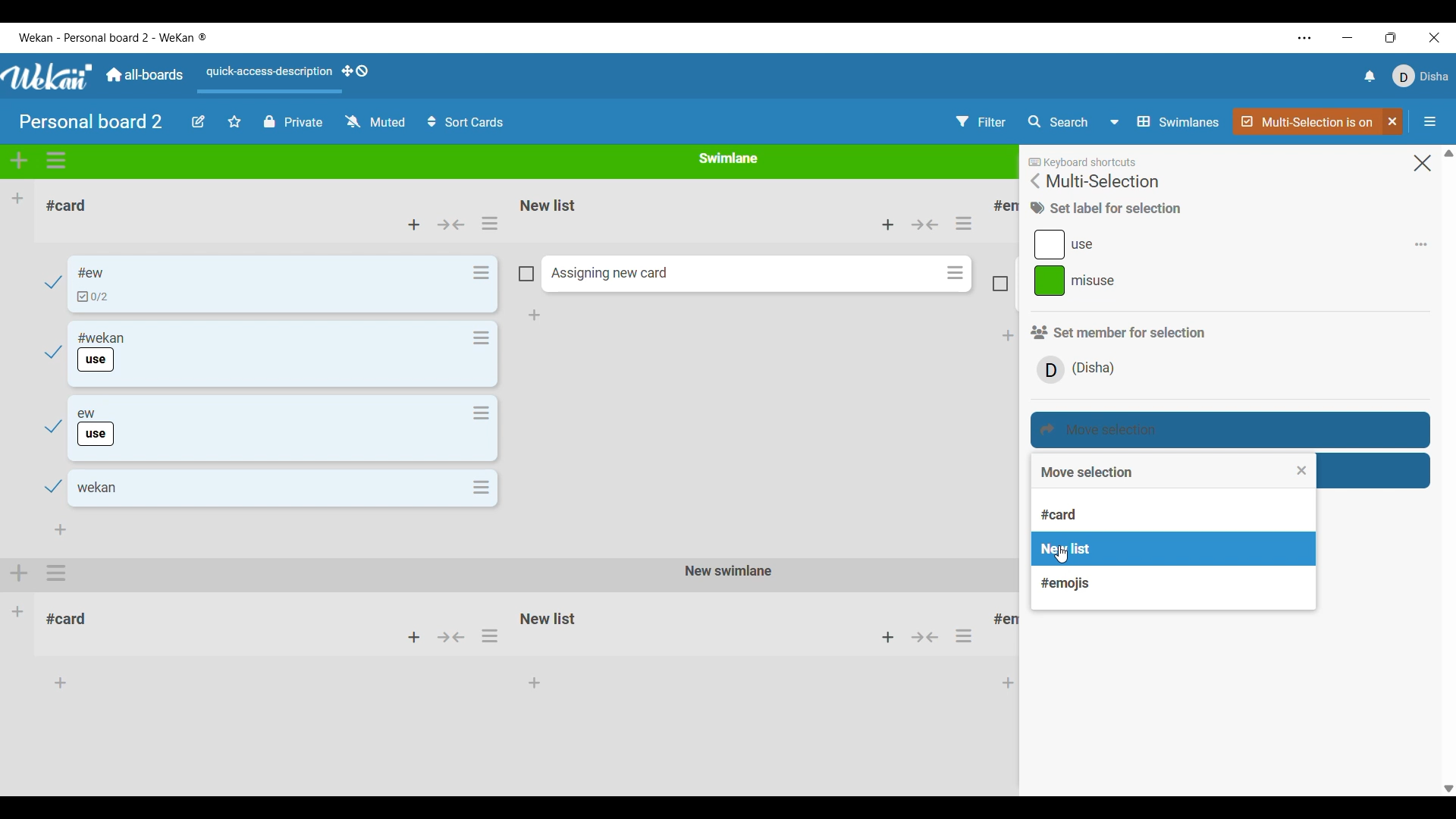 This screenshot has height=819, width=1456. What do you see at coordinates (1065, 551) in the screenshot?
I see `List of lists in current Swimlane` at bounding box center [1065, 551].